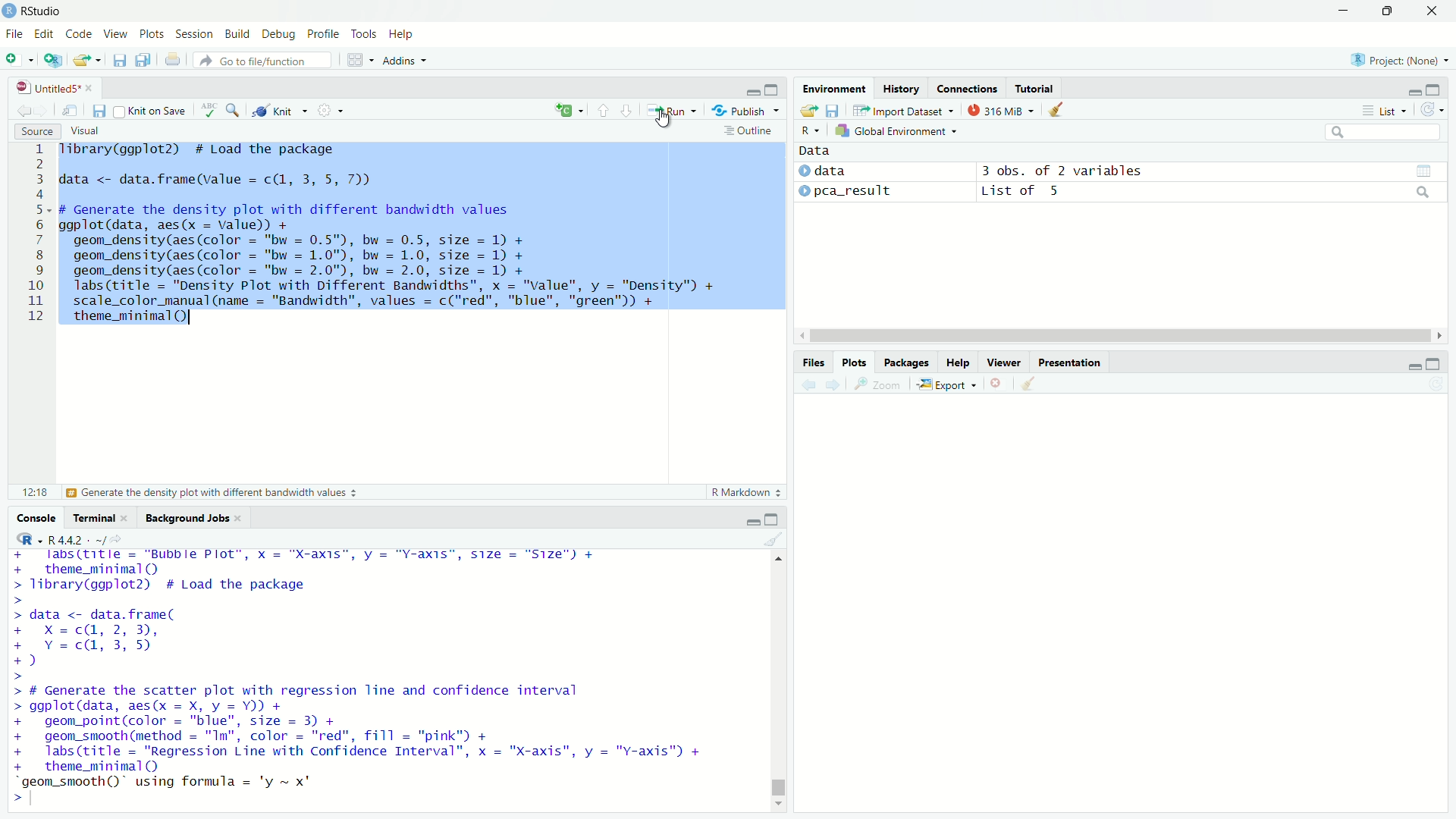 The width and height of the screenshot is (1456, 819). Describe the element at coordinates (626, 109) in the screenshot. I see `Go to next section/chunk` at that location.